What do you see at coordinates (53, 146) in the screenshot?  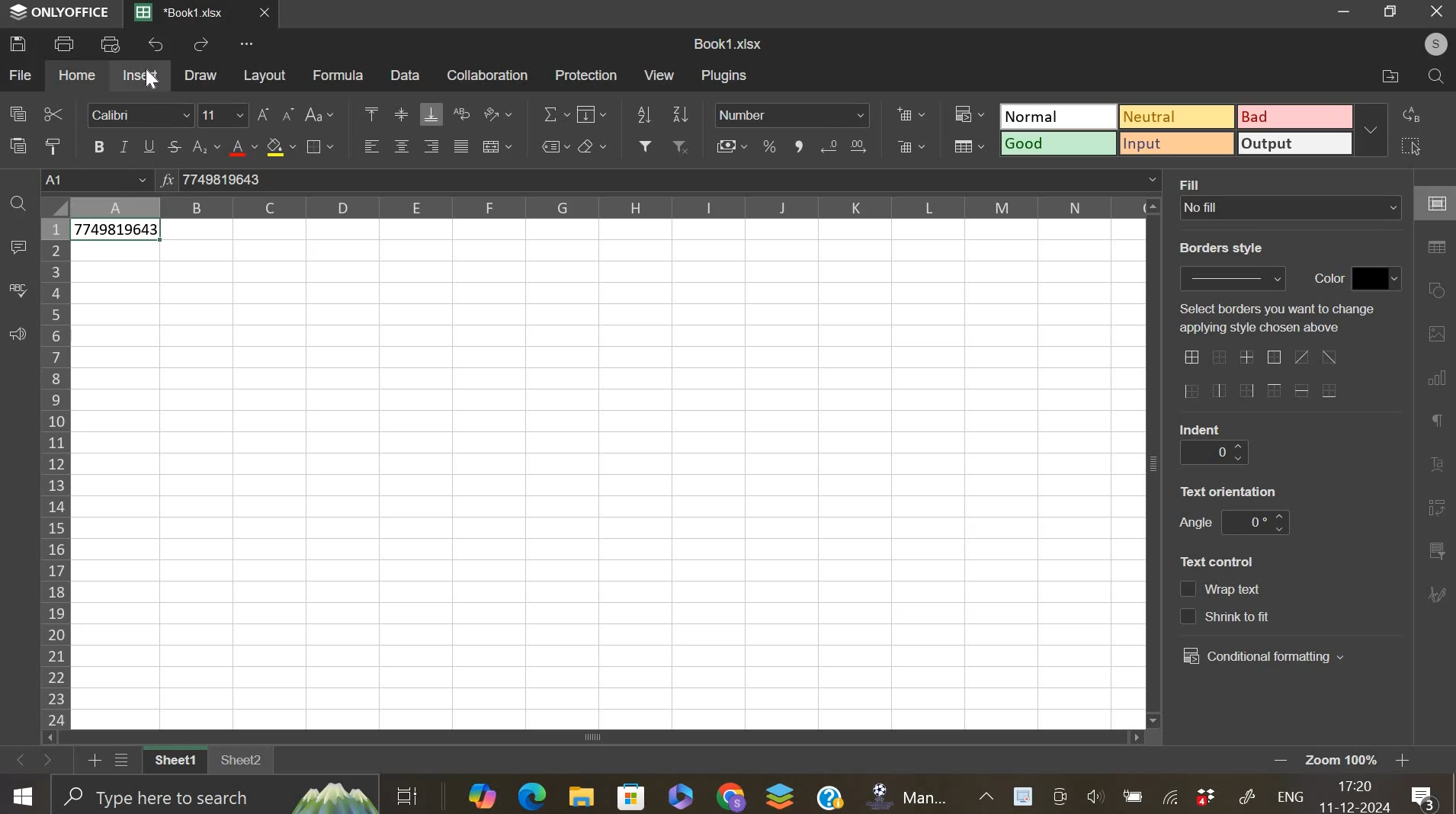 I see `copy style` at bounding box center [53, 146].